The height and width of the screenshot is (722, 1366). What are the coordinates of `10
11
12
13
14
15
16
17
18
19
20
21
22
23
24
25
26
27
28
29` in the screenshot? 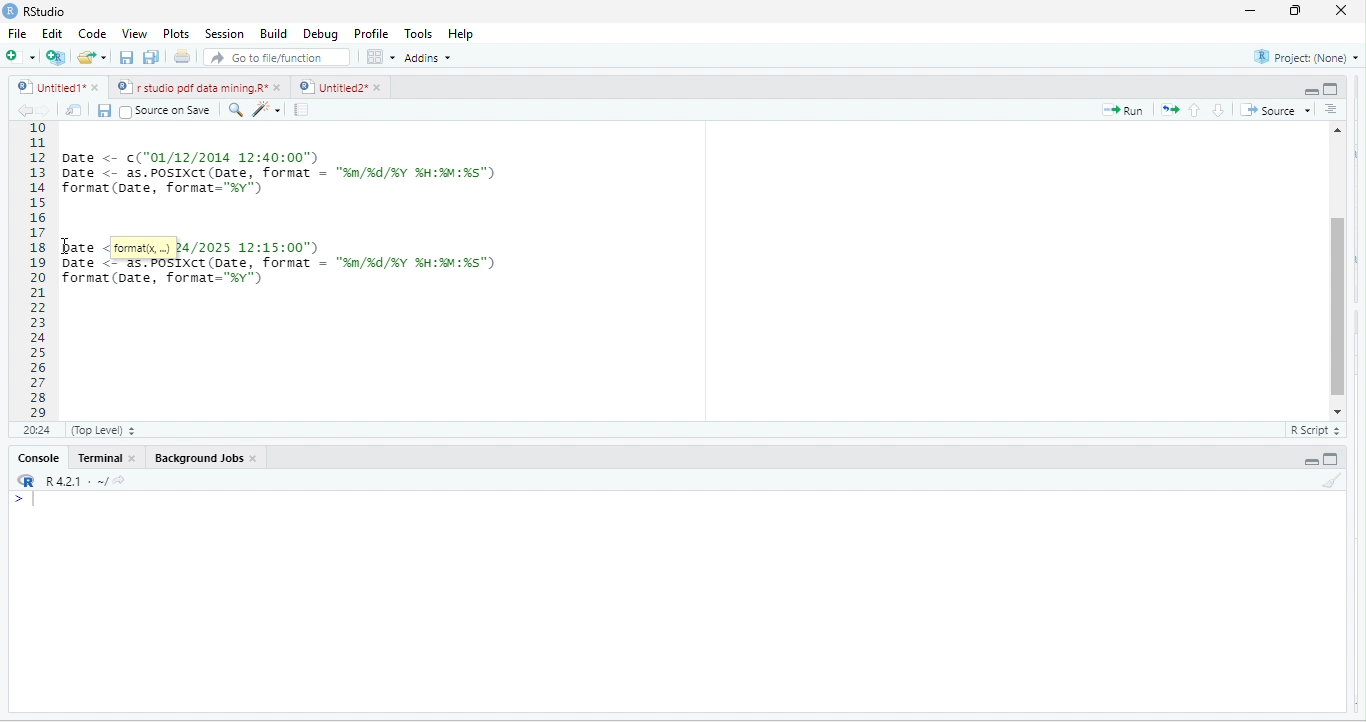 It's located at (30, 270).